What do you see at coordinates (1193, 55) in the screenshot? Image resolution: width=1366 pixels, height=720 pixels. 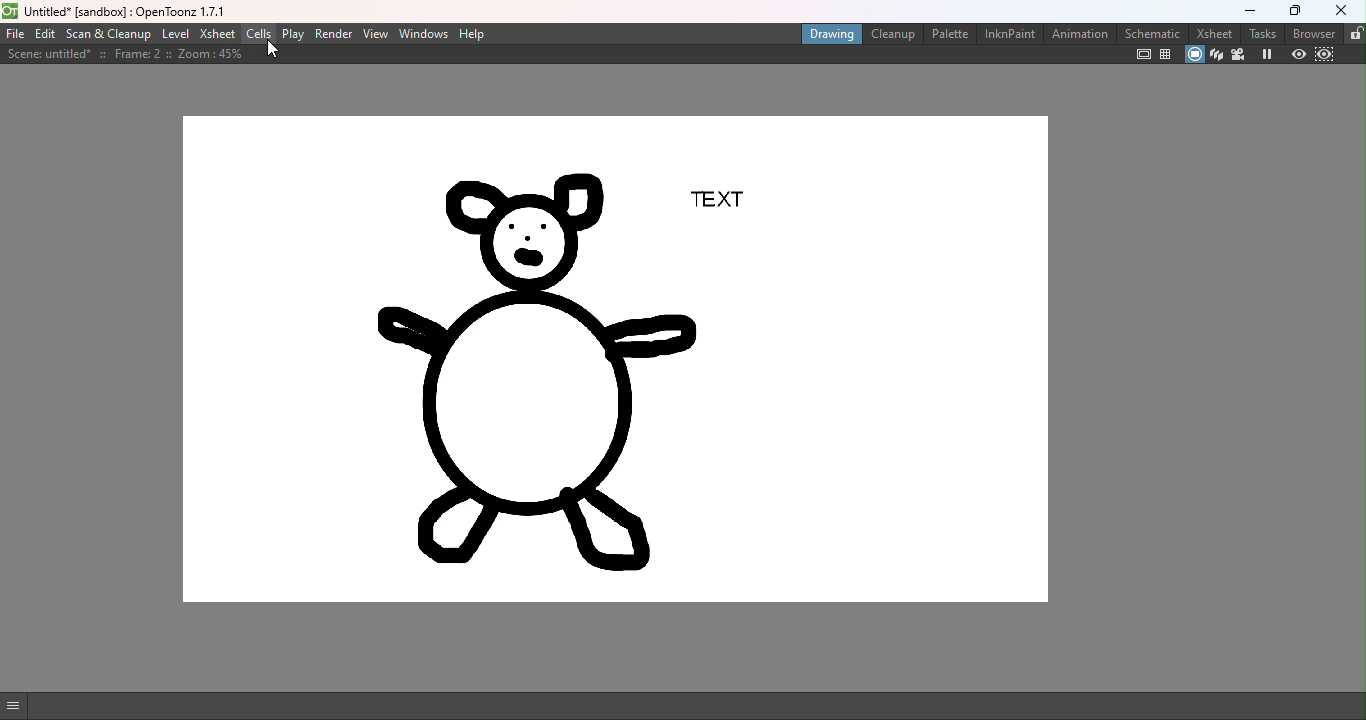 I see `Camera stand view` at bounding box center [1193, 55].